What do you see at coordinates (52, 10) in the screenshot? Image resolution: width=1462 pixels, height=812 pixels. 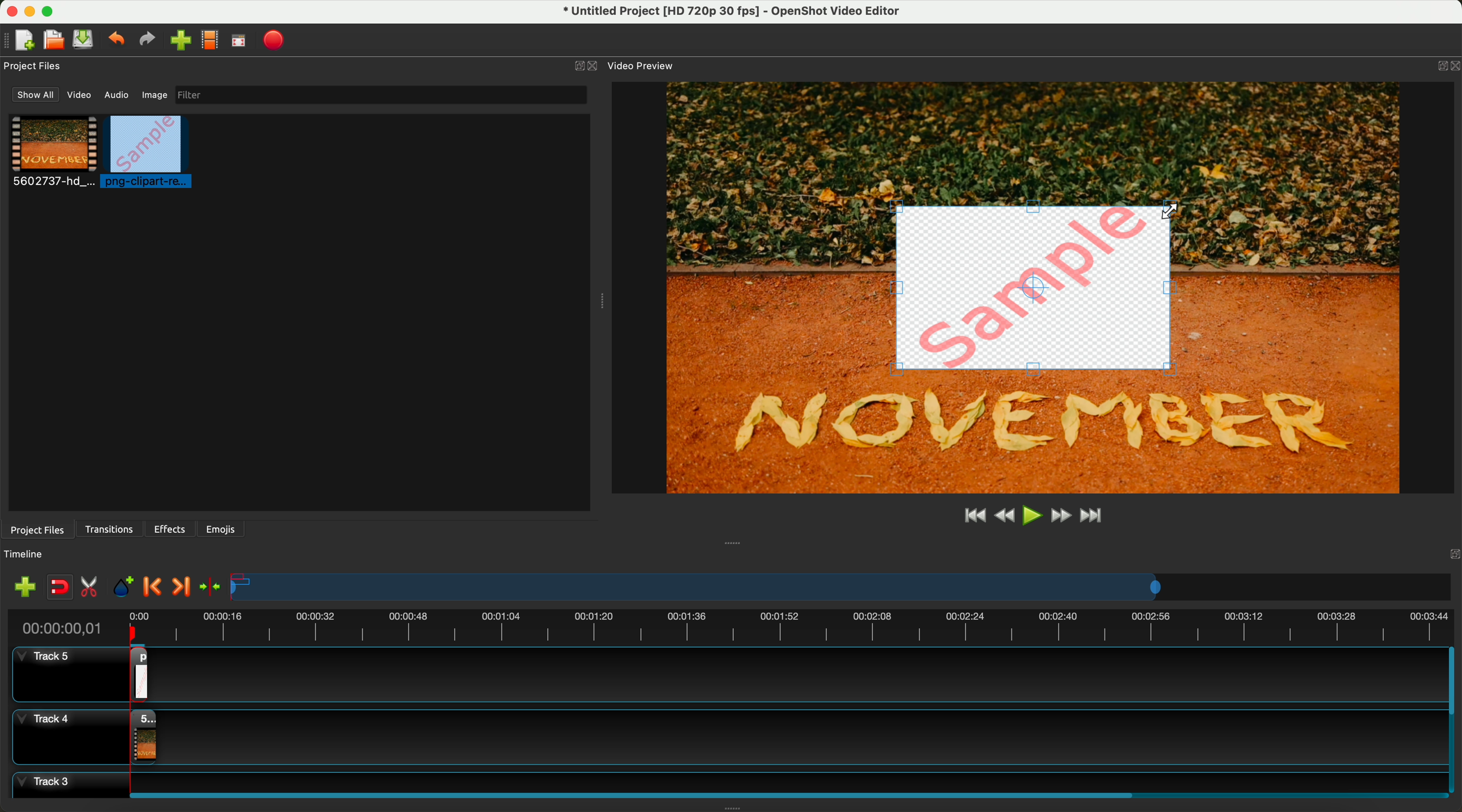 I see `maximize` at bounding box center [52, 10].